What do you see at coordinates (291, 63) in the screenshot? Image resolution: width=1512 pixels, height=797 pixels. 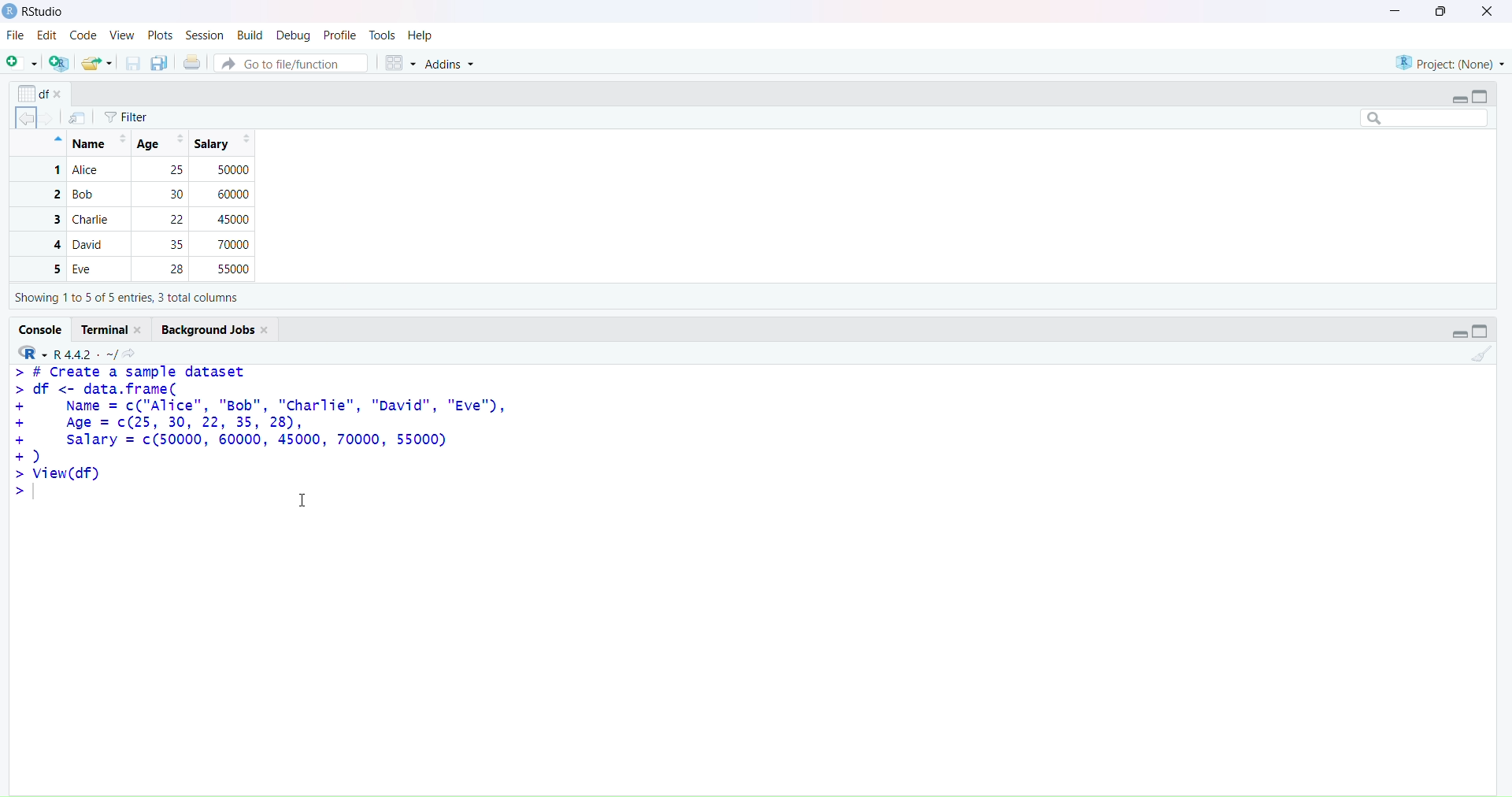 I see `go to file/function` at bounding box center [291, 63].